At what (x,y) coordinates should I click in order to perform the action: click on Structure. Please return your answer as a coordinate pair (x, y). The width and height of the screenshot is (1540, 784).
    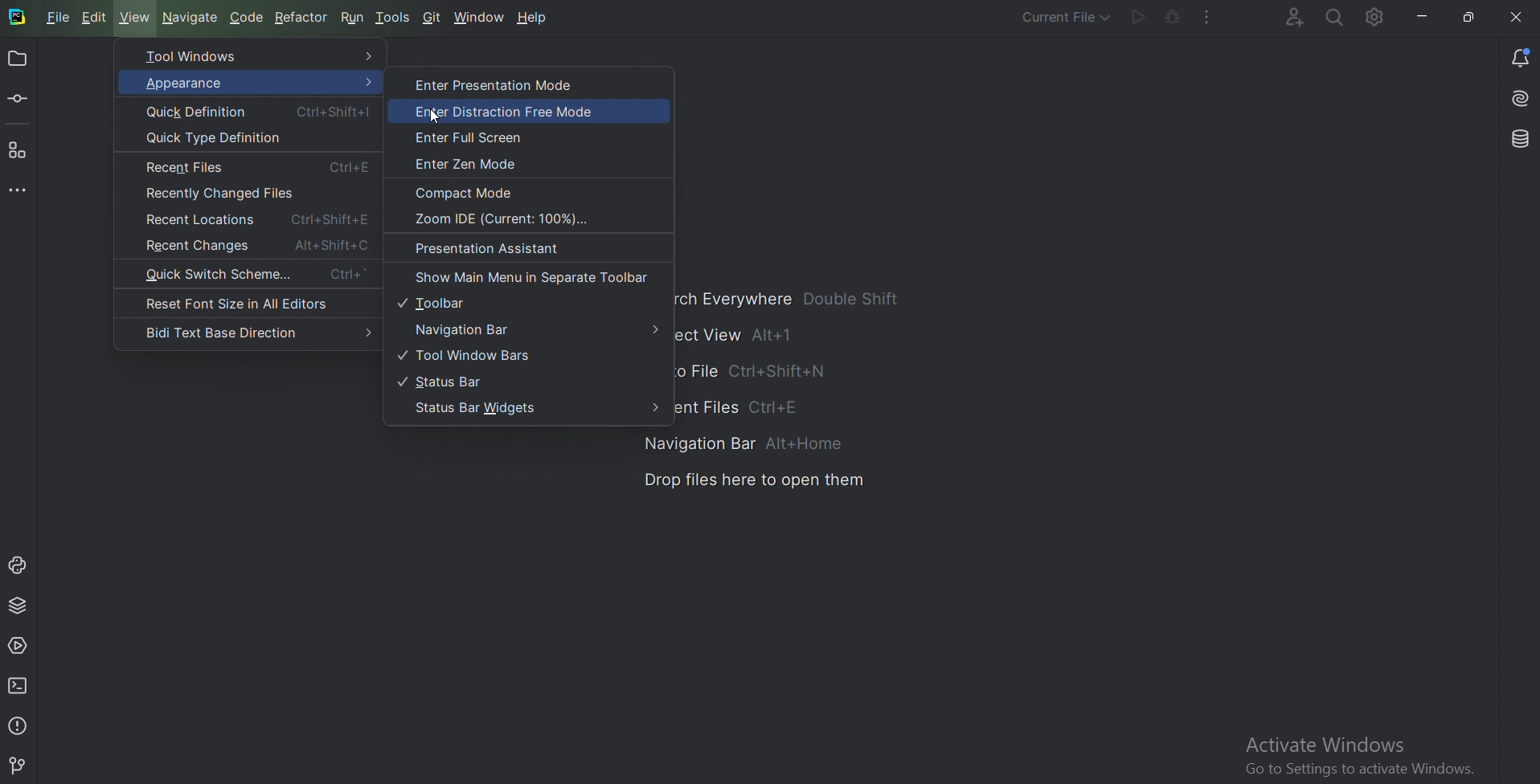
    Looking at the image, I should click on (18, 150).